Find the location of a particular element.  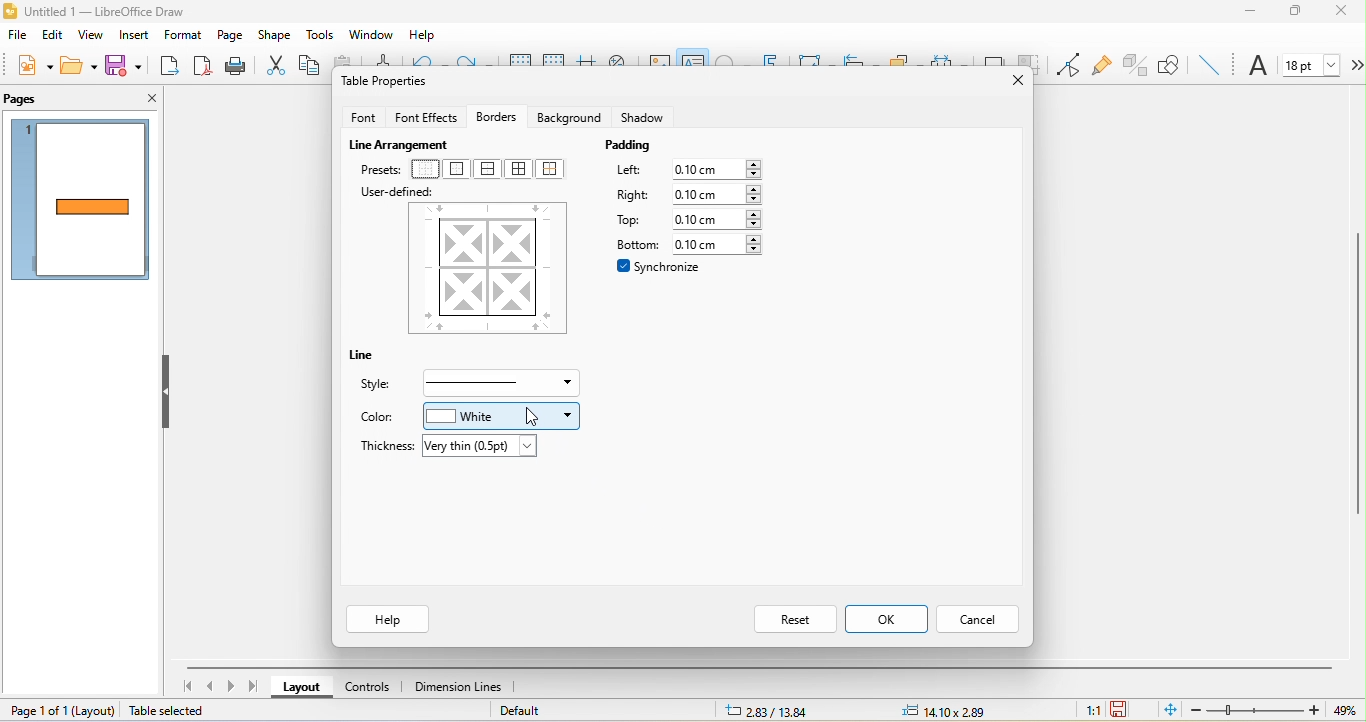

font size is located at coordinates (1312, 65).